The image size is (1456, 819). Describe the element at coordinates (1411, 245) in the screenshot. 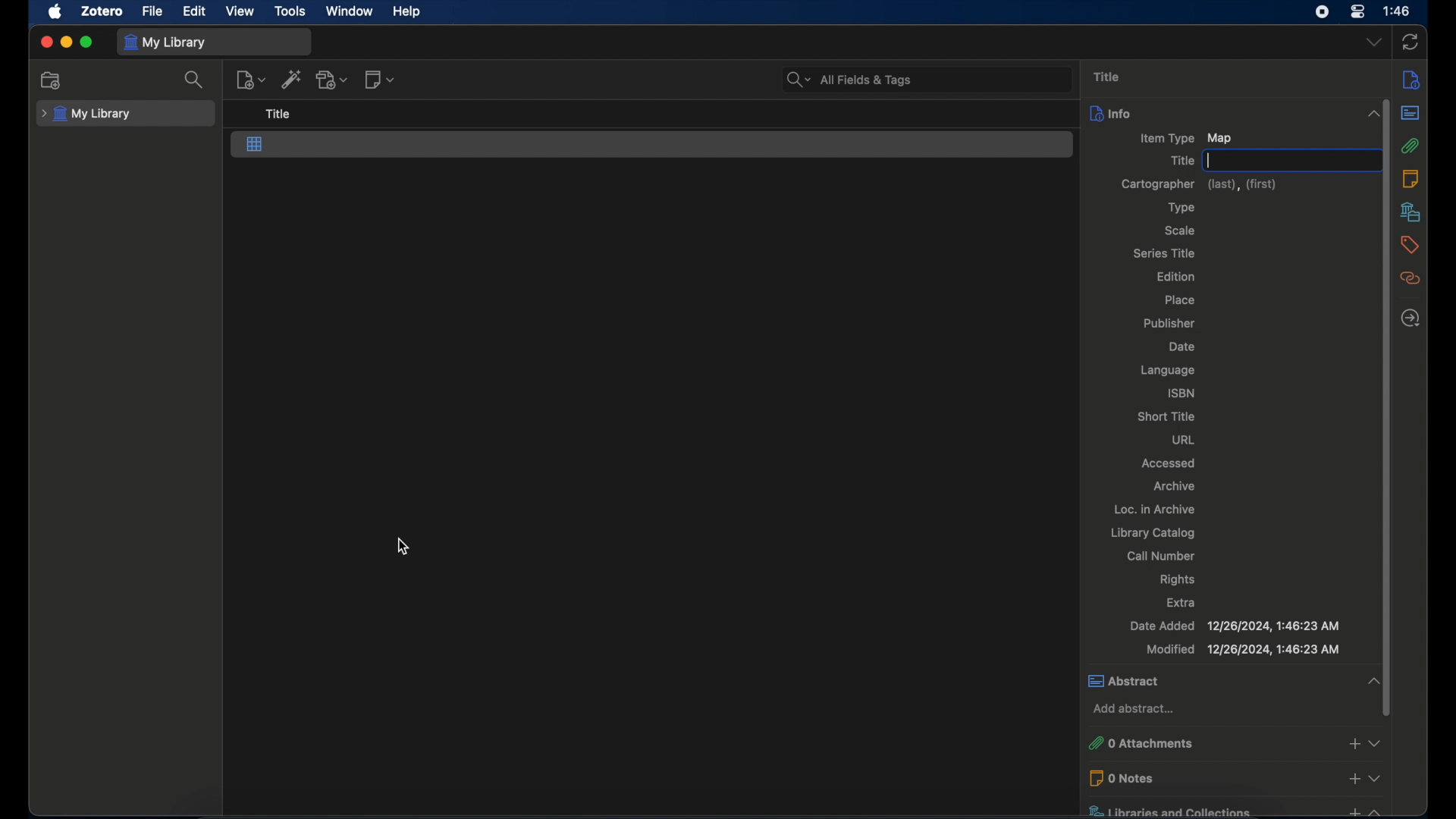

I see `tags` at that location.